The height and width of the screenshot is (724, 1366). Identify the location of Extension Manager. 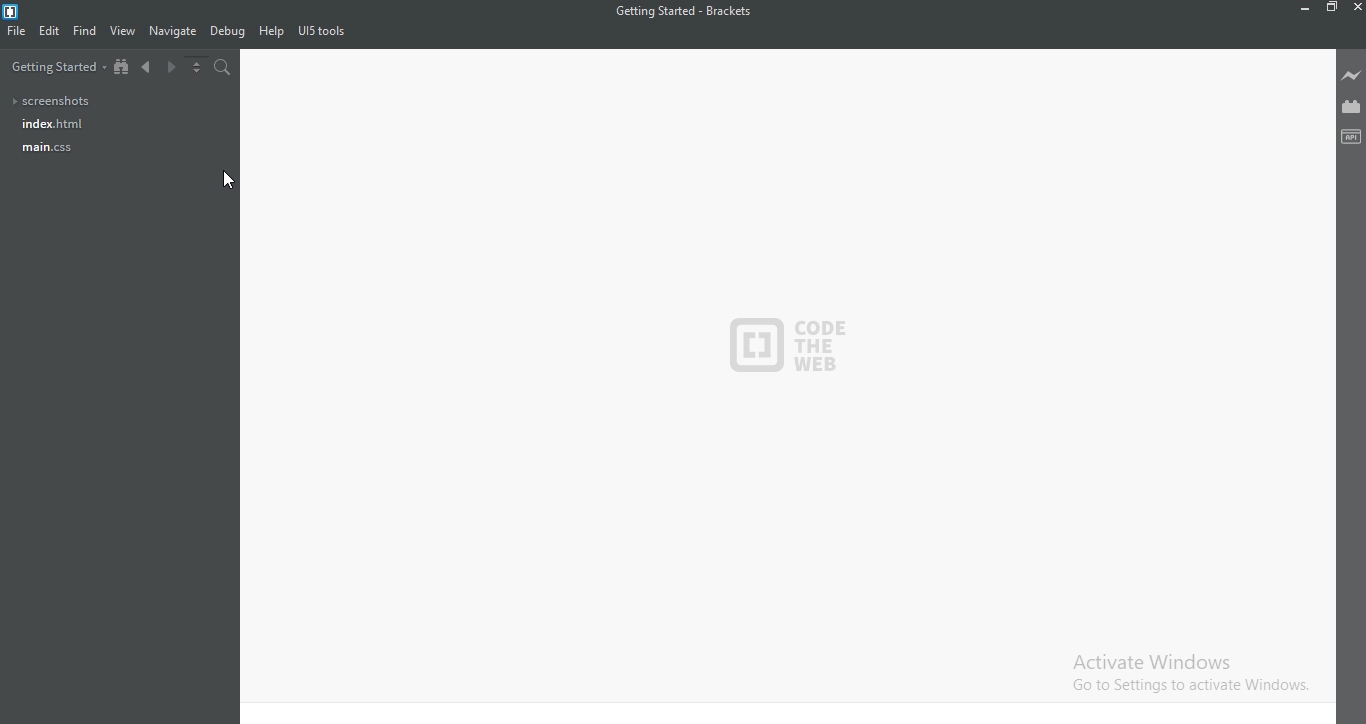
(1352, 105).